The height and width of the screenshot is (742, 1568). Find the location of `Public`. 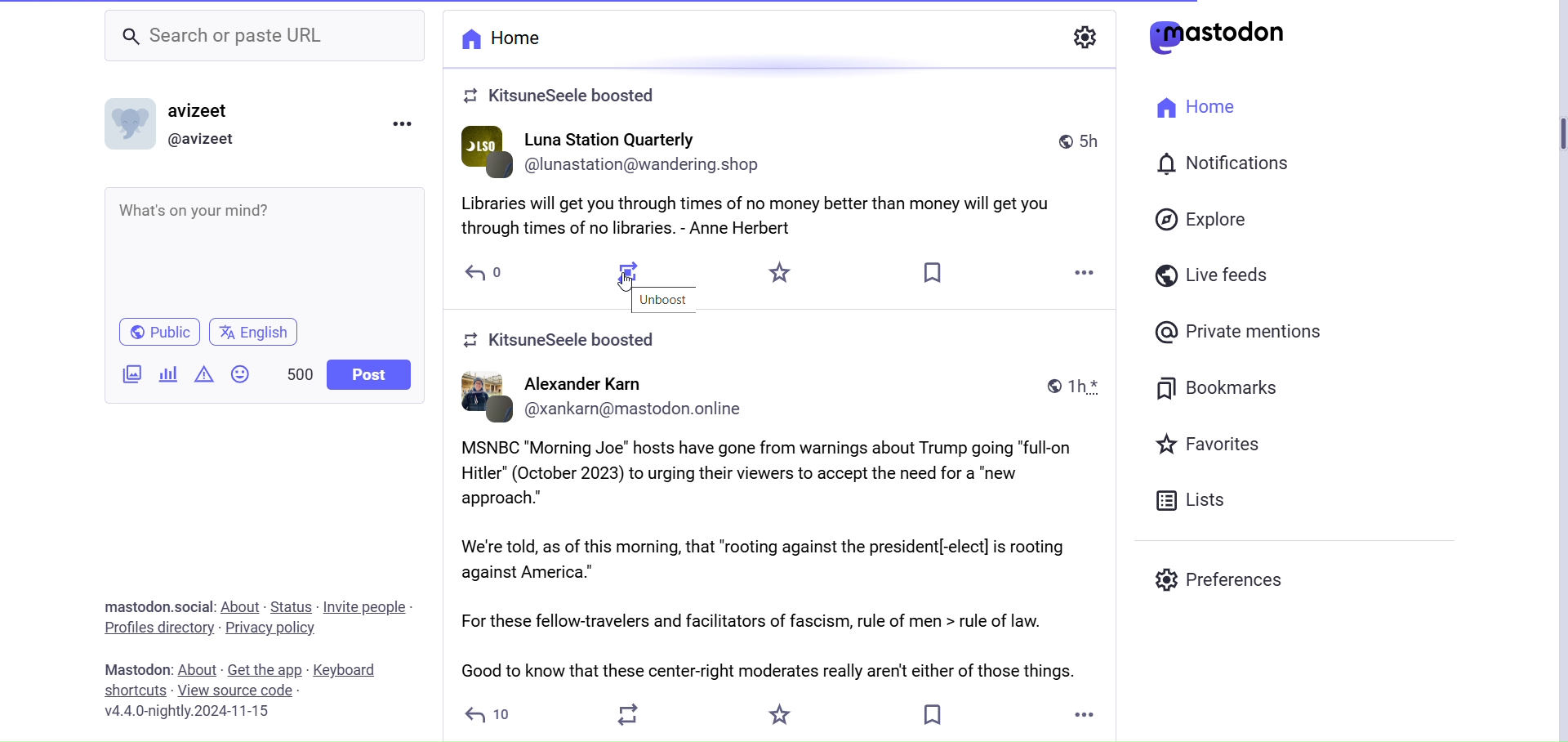

Public is located at coordinates (158, 333).